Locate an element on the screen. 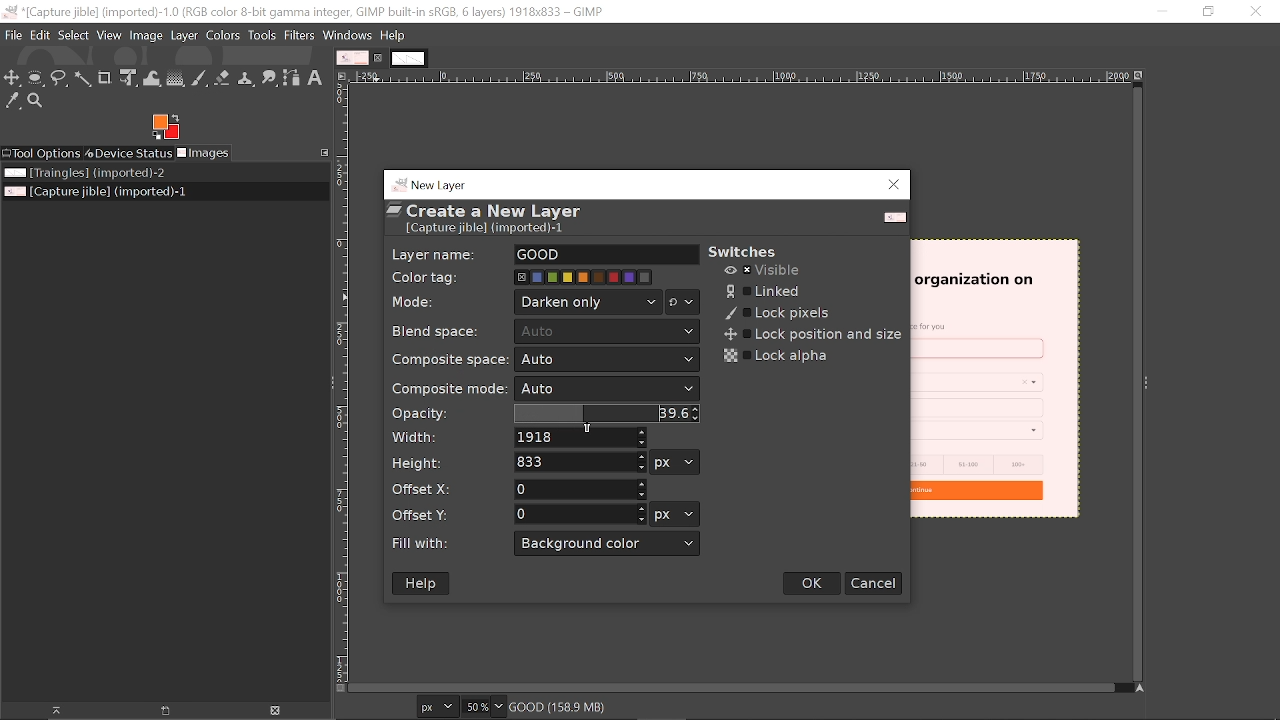 This screenshot has height=720, width=1280. Ok is located at coordinates (813, 584).